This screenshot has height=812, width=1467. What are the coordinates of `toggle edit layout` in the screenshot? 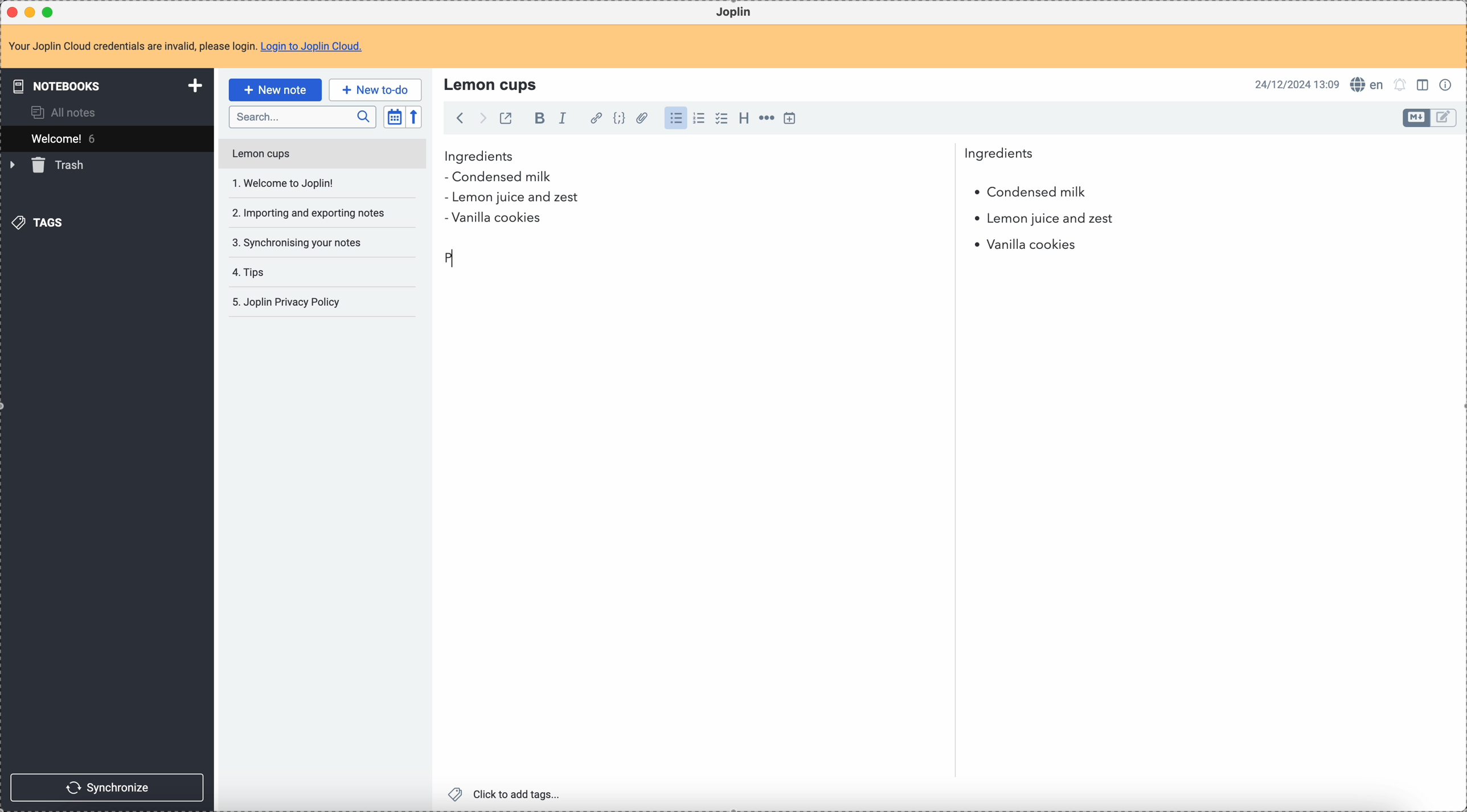 It's located at (1444, 118).